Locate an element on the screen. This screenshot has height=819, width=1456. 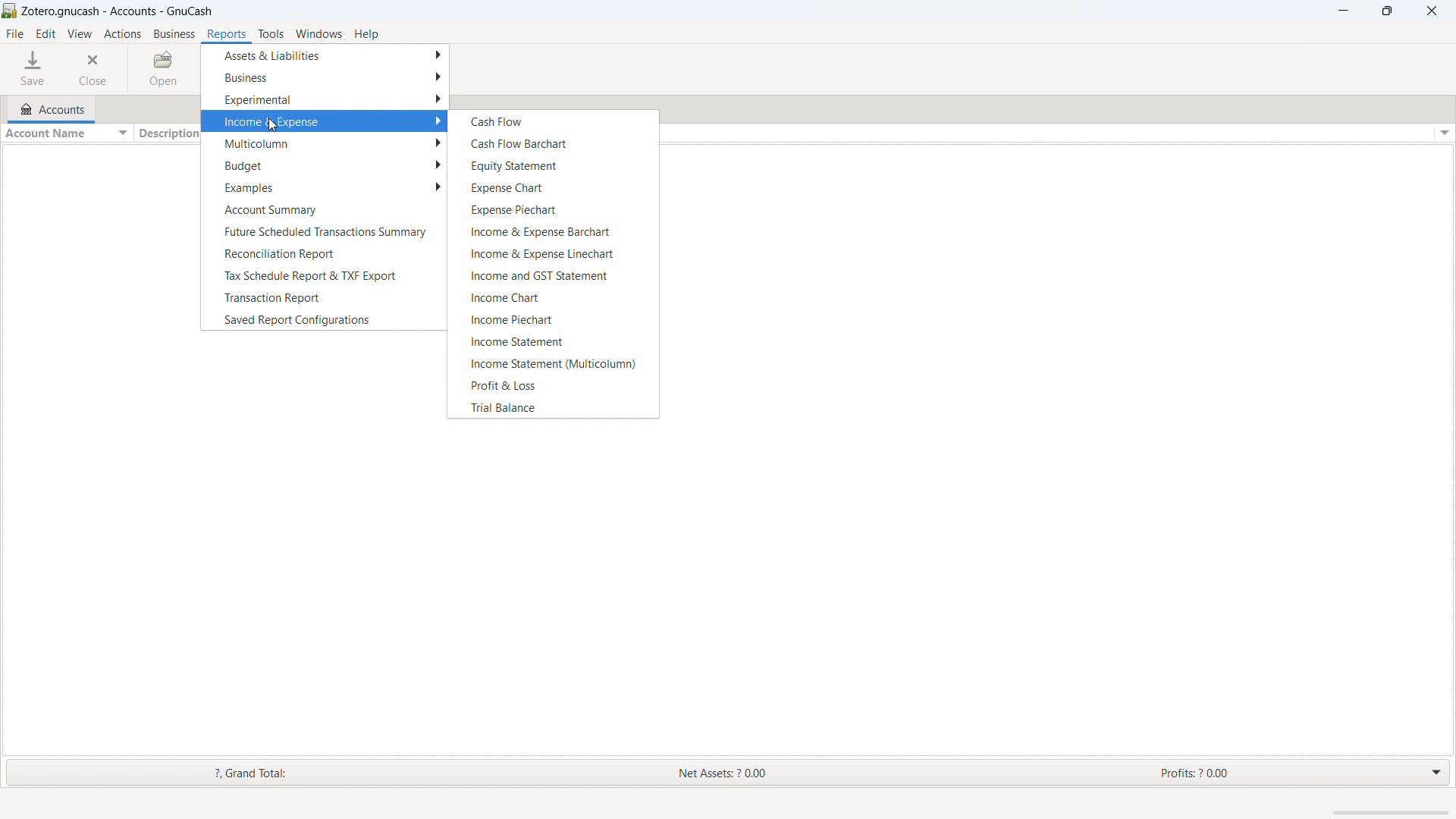
file is located at coordinates (15, 33).